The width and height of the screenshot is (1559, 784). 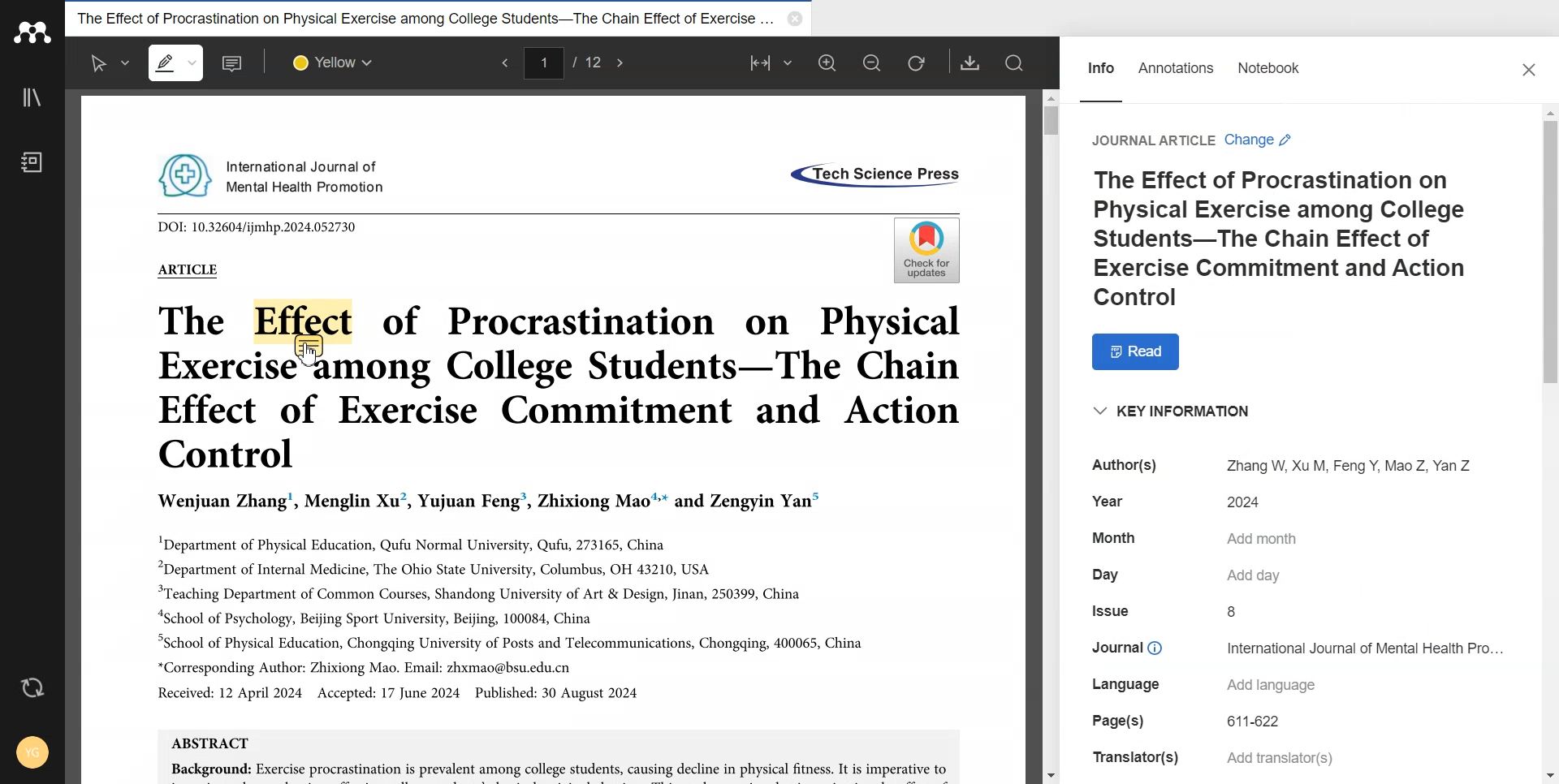 What do you see at coordinates (924, 250) in the screenshot?
I see `Check for updates` at bounding box center [924, 250].